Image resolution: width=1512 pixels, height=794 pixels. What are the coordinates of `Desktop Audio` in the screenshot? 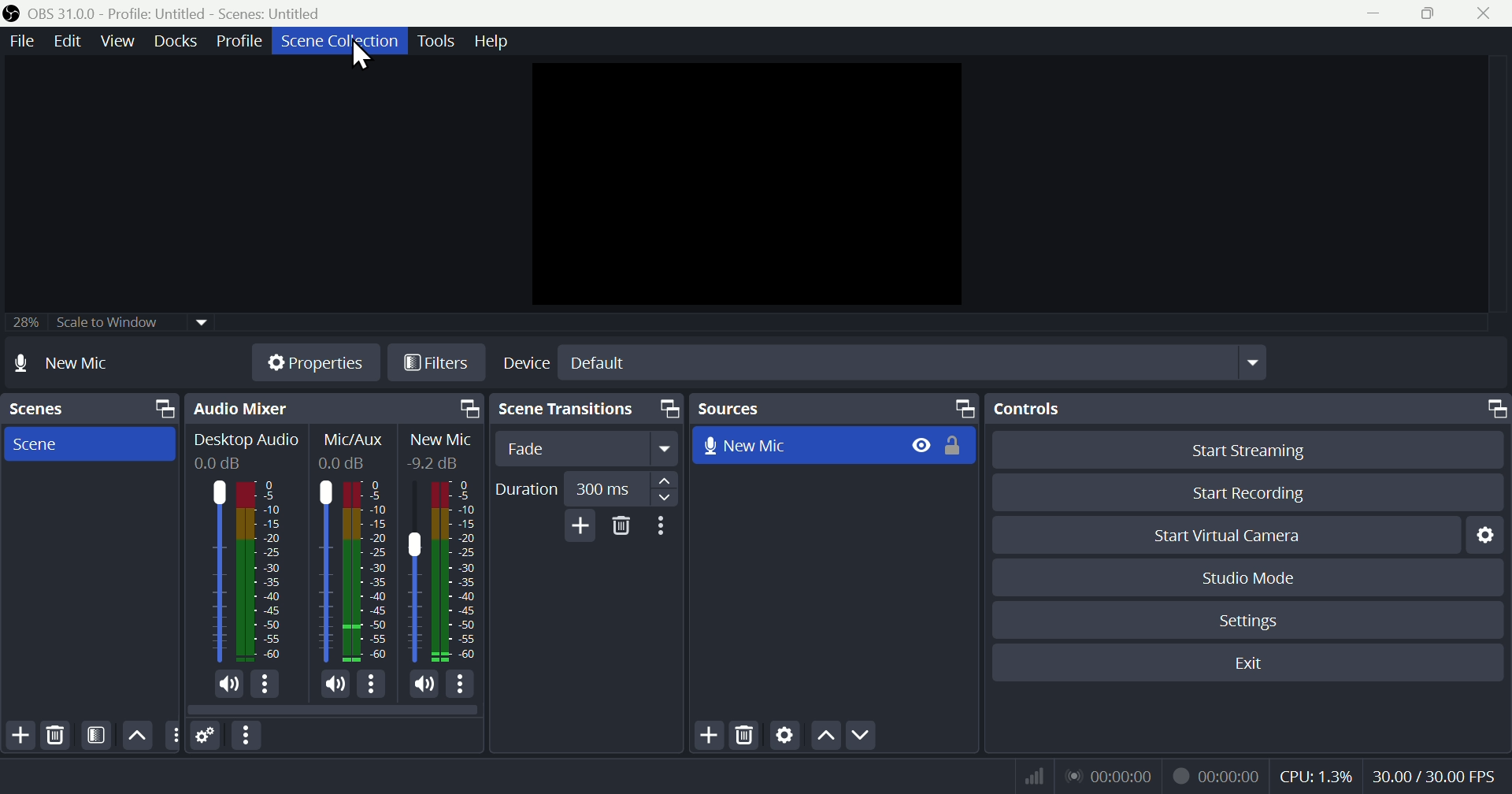 It's located at (248, 440).